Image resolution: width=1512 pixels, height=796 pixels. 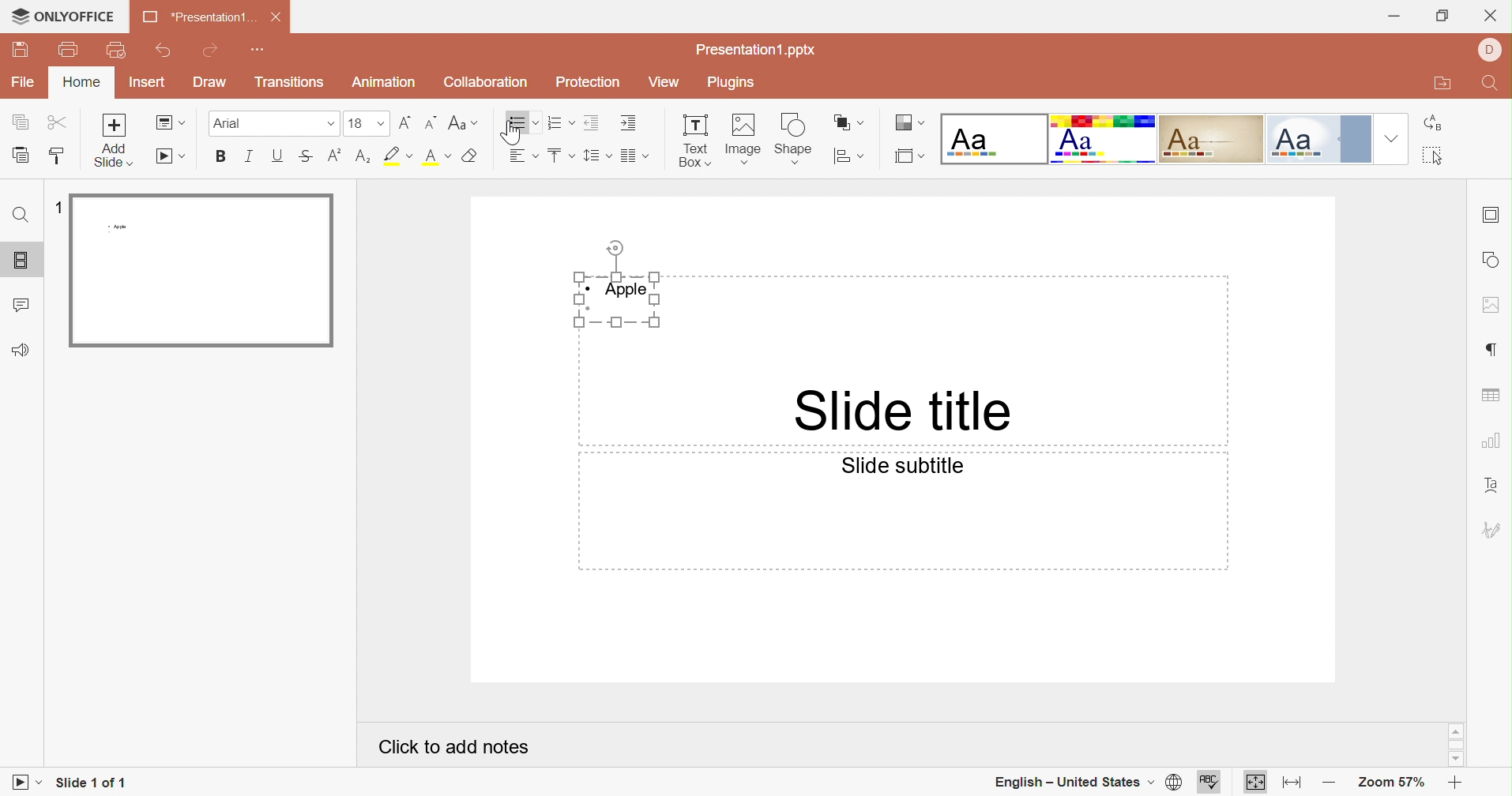 What do you see at coordinates (799, 137) in the screenshot?
I see `shape` at bounding box center [799, 137].